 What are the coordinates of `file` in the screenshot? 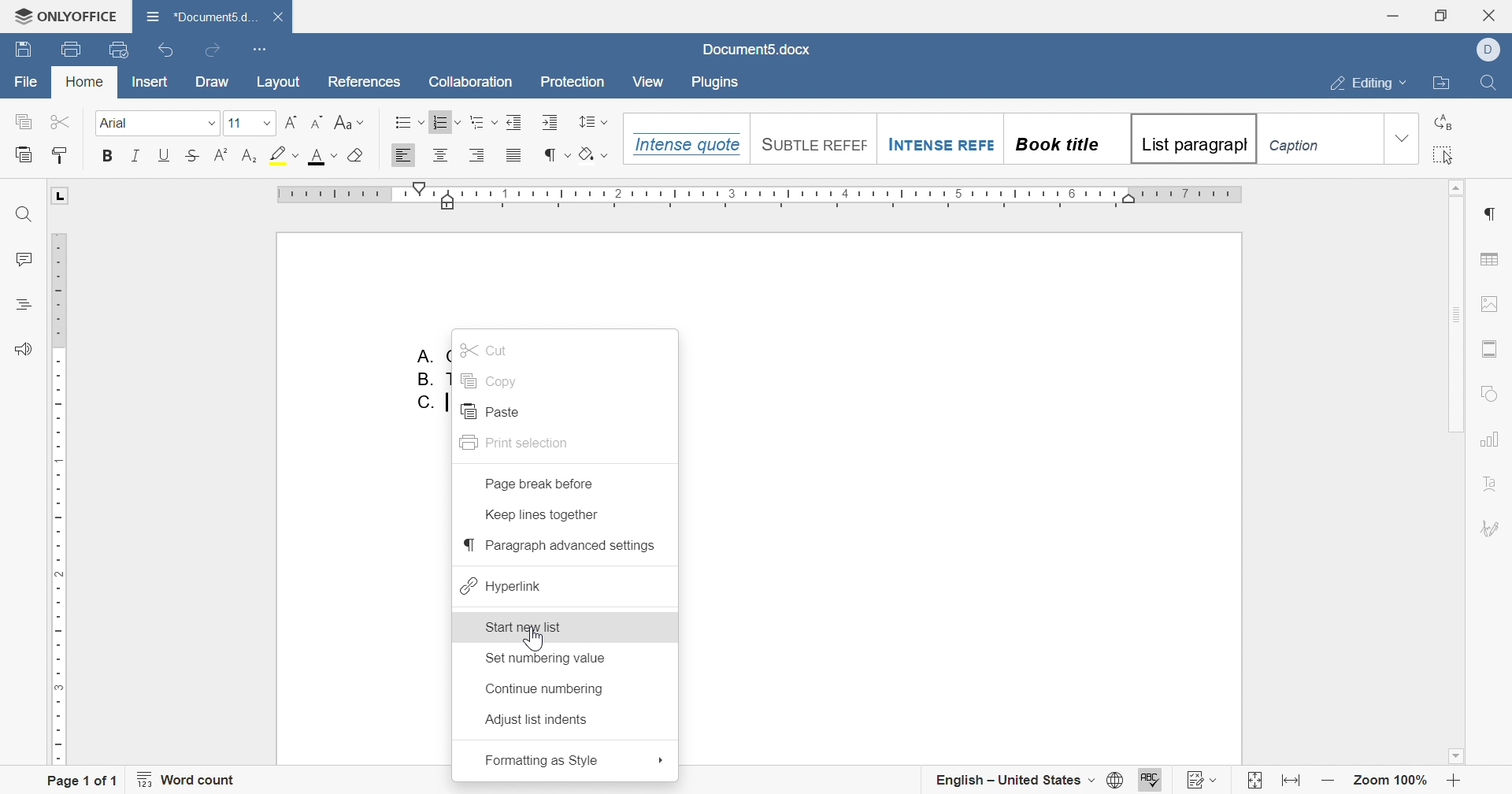 It's located at (26, 82).